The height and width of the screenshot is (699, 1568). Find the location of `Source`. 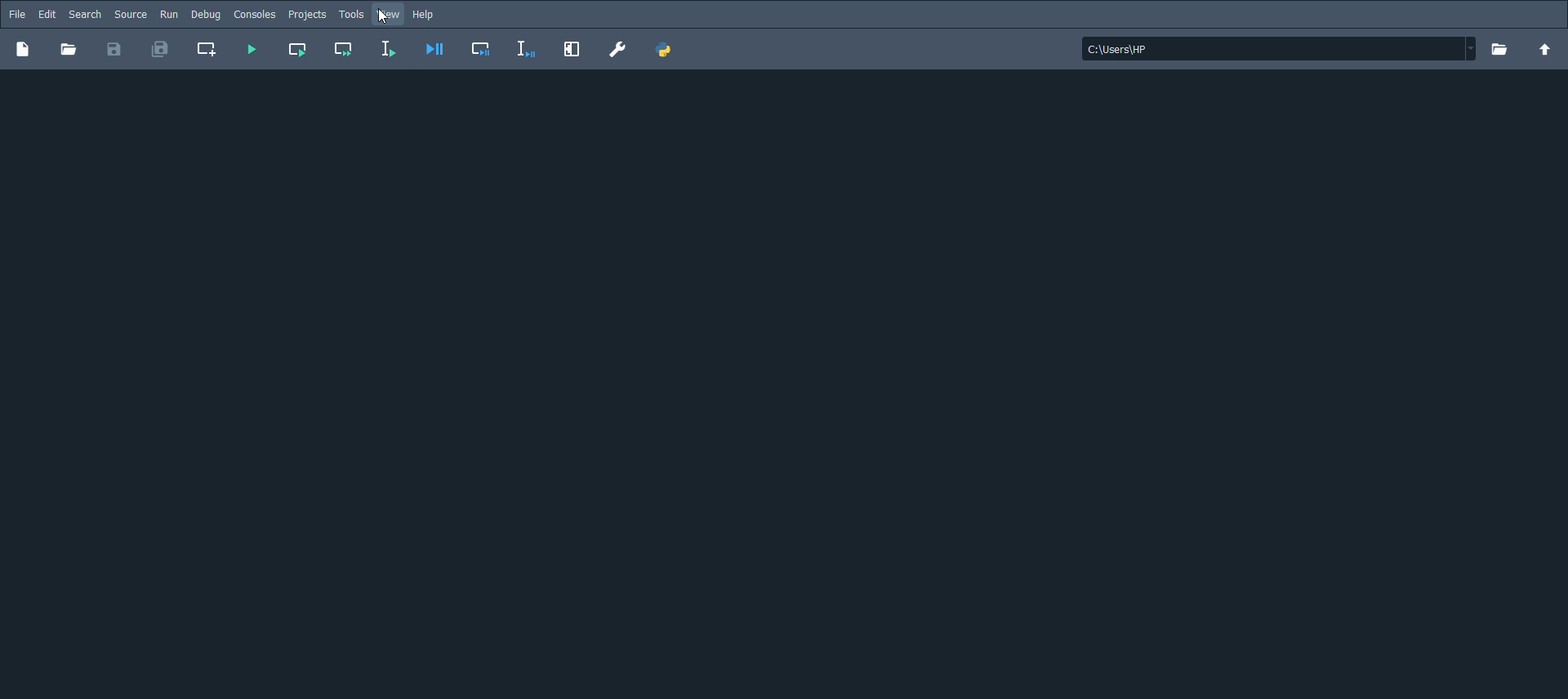

Source is located at coordinates (130, 14).